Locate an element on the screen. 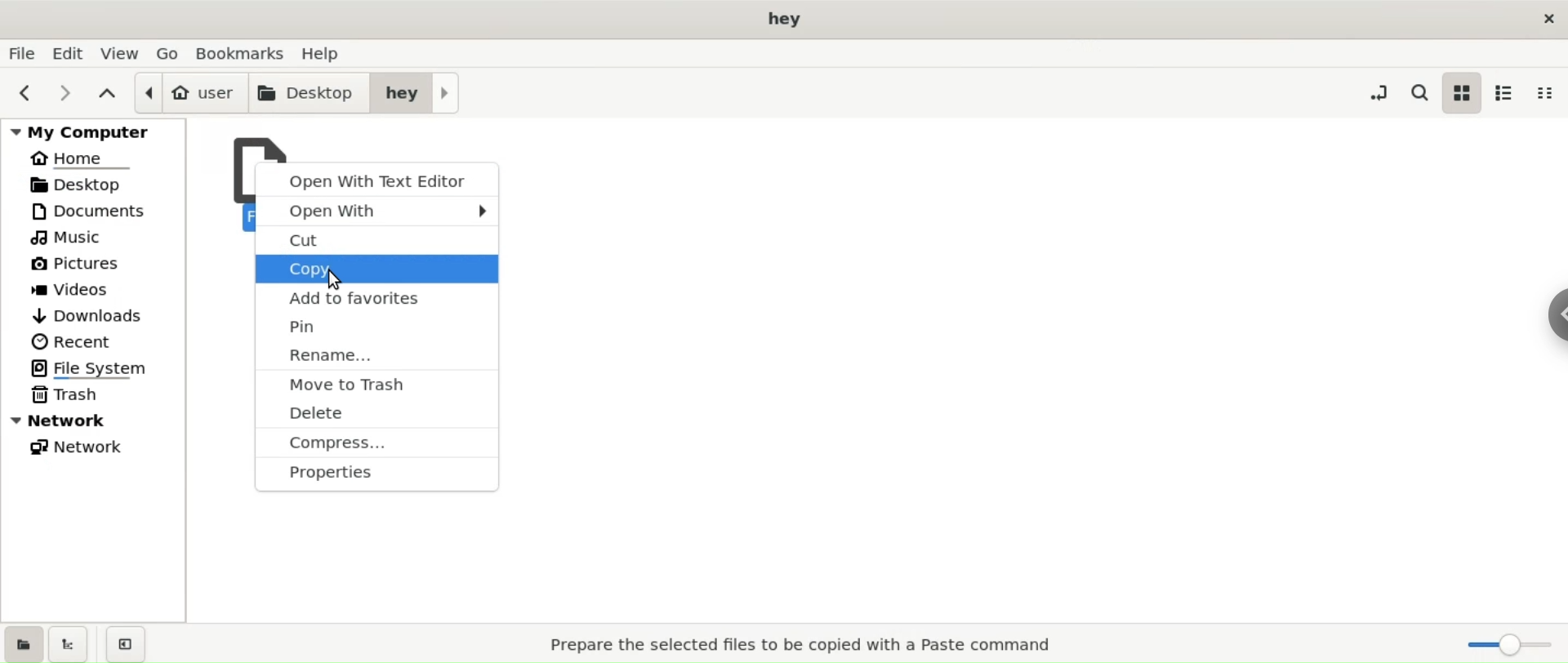  edit is located at coordinates (71, 54).